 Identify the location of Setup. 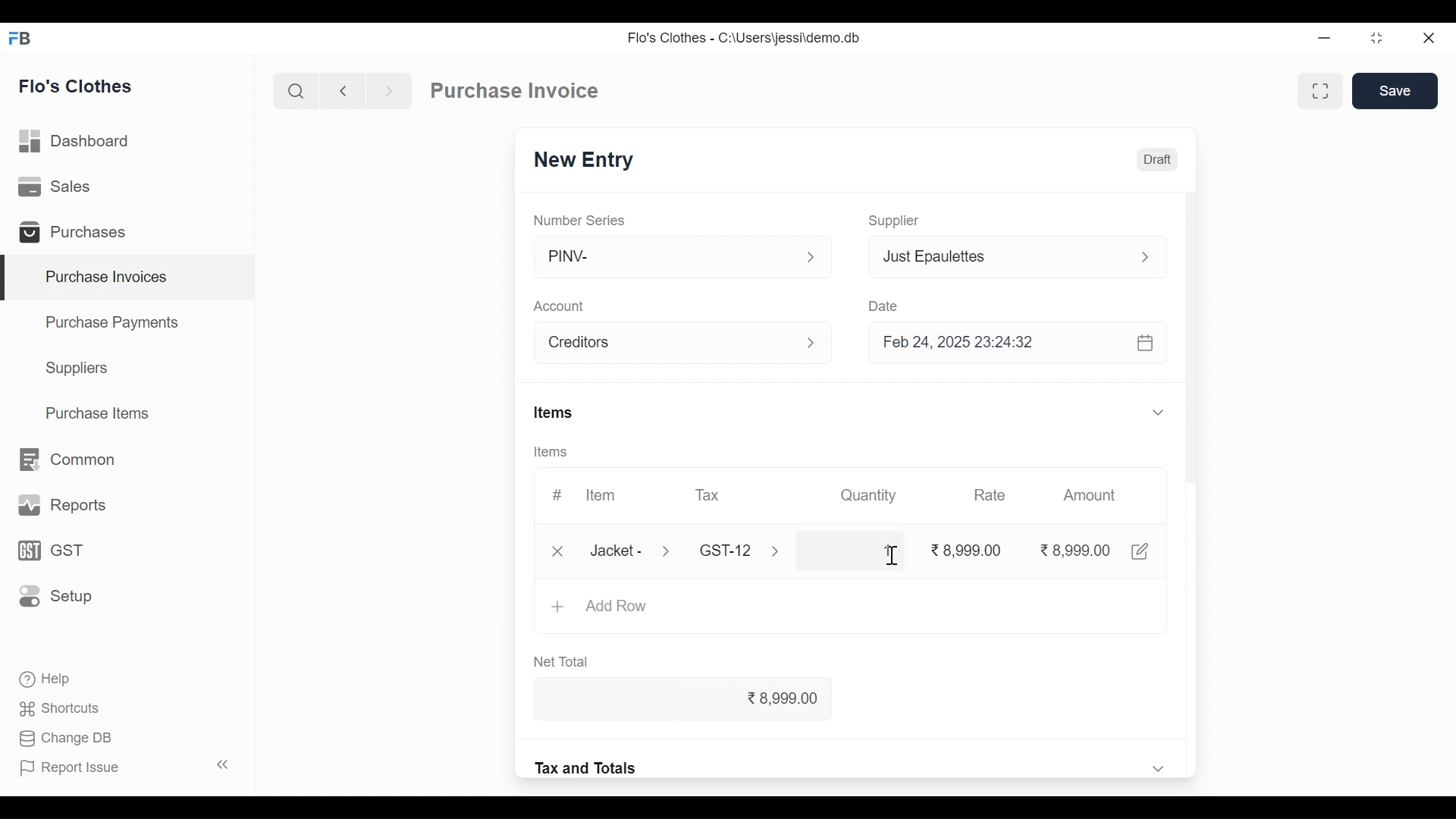
(52, 597).